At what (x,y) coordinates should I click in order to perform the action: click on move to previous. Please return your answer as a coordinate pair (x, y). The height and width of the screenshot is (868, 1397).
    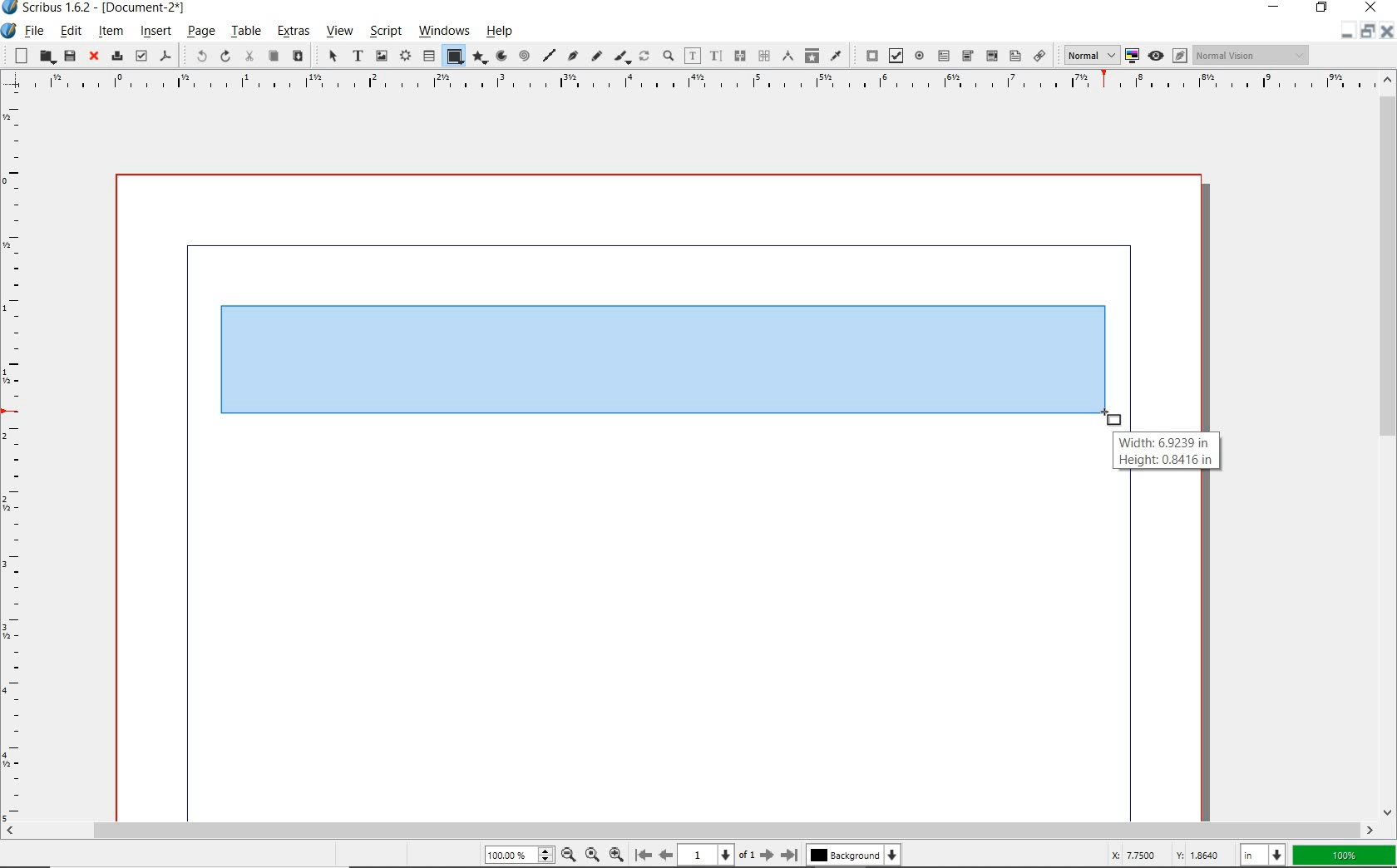
    Looking at the image, I should click on (665, 853).